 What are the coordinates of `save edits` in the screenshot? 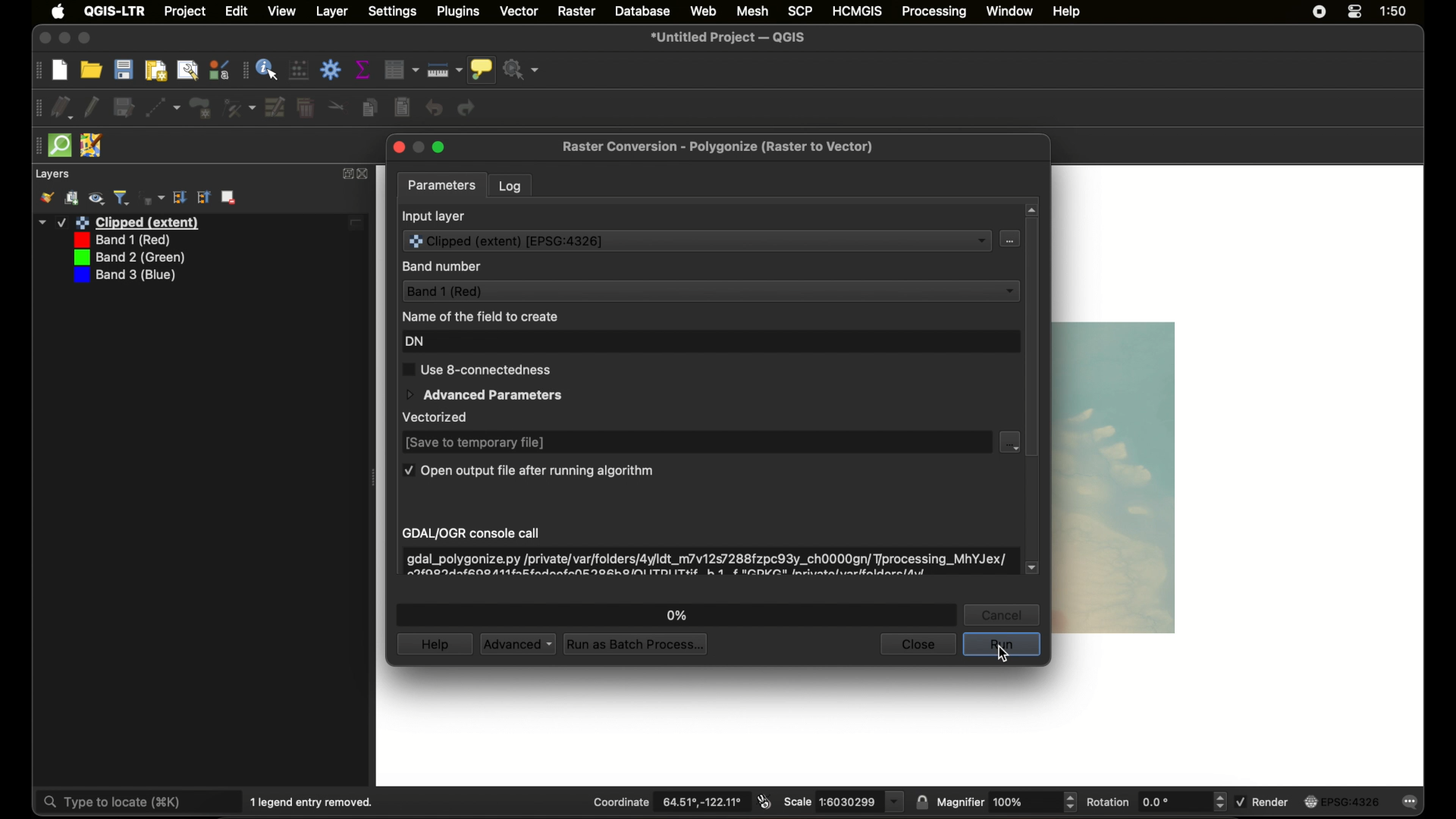 It's located at (124, 108).